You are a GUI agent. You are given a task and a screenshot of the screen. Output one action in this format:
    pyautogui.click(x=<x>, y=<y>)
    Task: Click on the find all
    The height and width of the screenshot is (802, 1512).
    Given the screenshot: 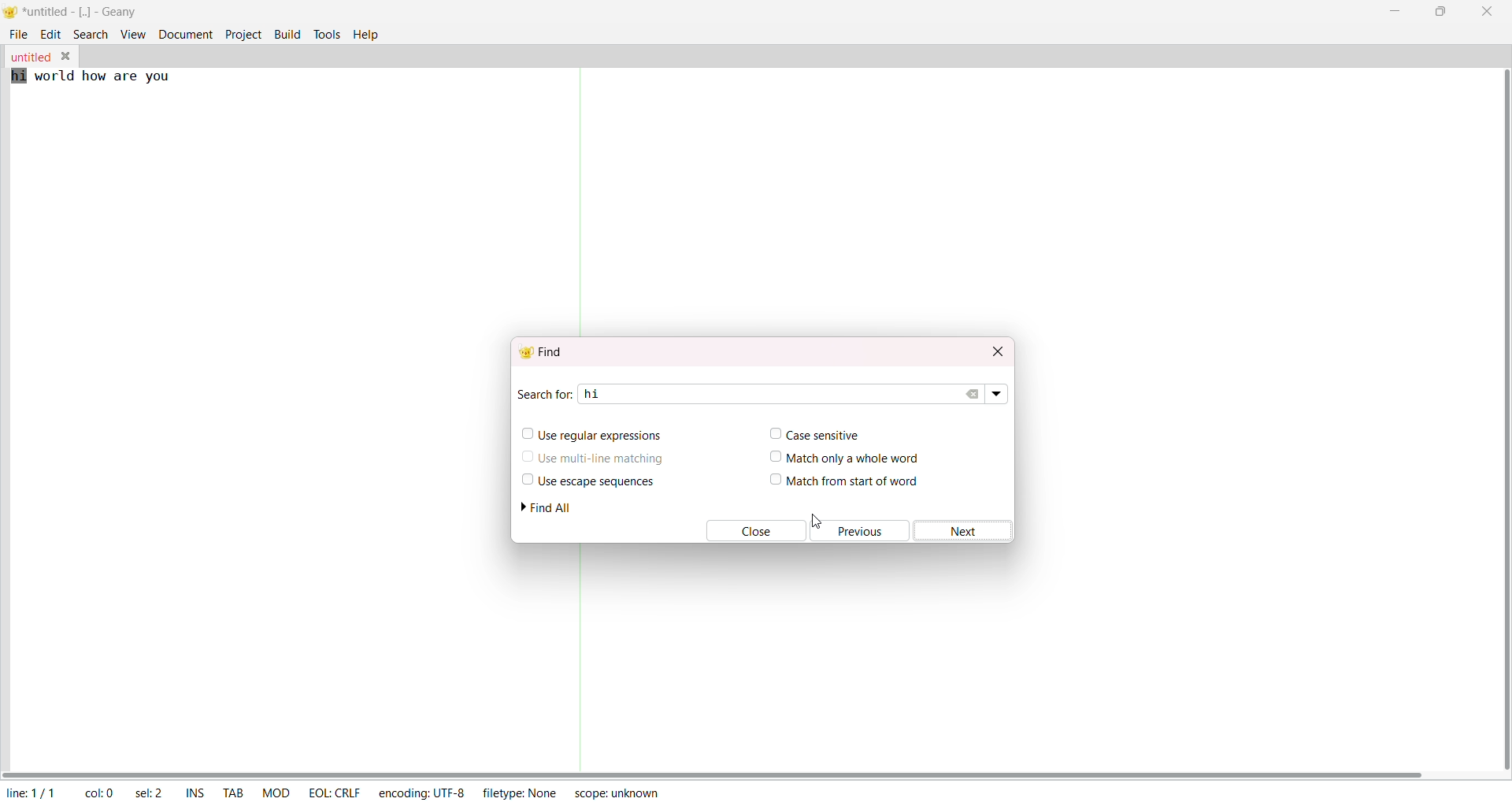 What is the action you would take?
    pyautogui.click(x=542, y=507)
    